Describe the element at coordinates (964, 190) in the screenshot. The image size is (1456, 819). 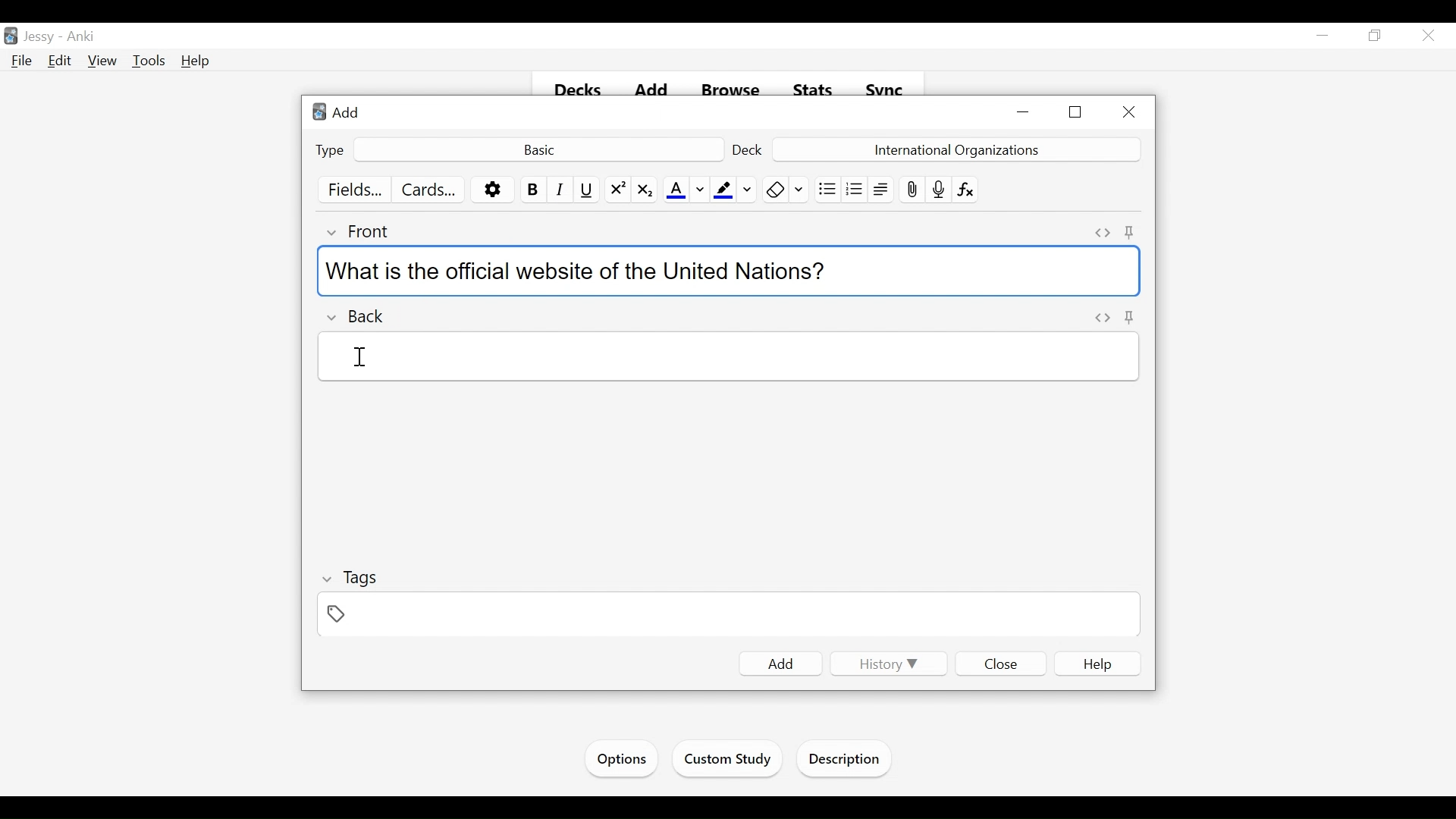
I see `Equations` at that location.